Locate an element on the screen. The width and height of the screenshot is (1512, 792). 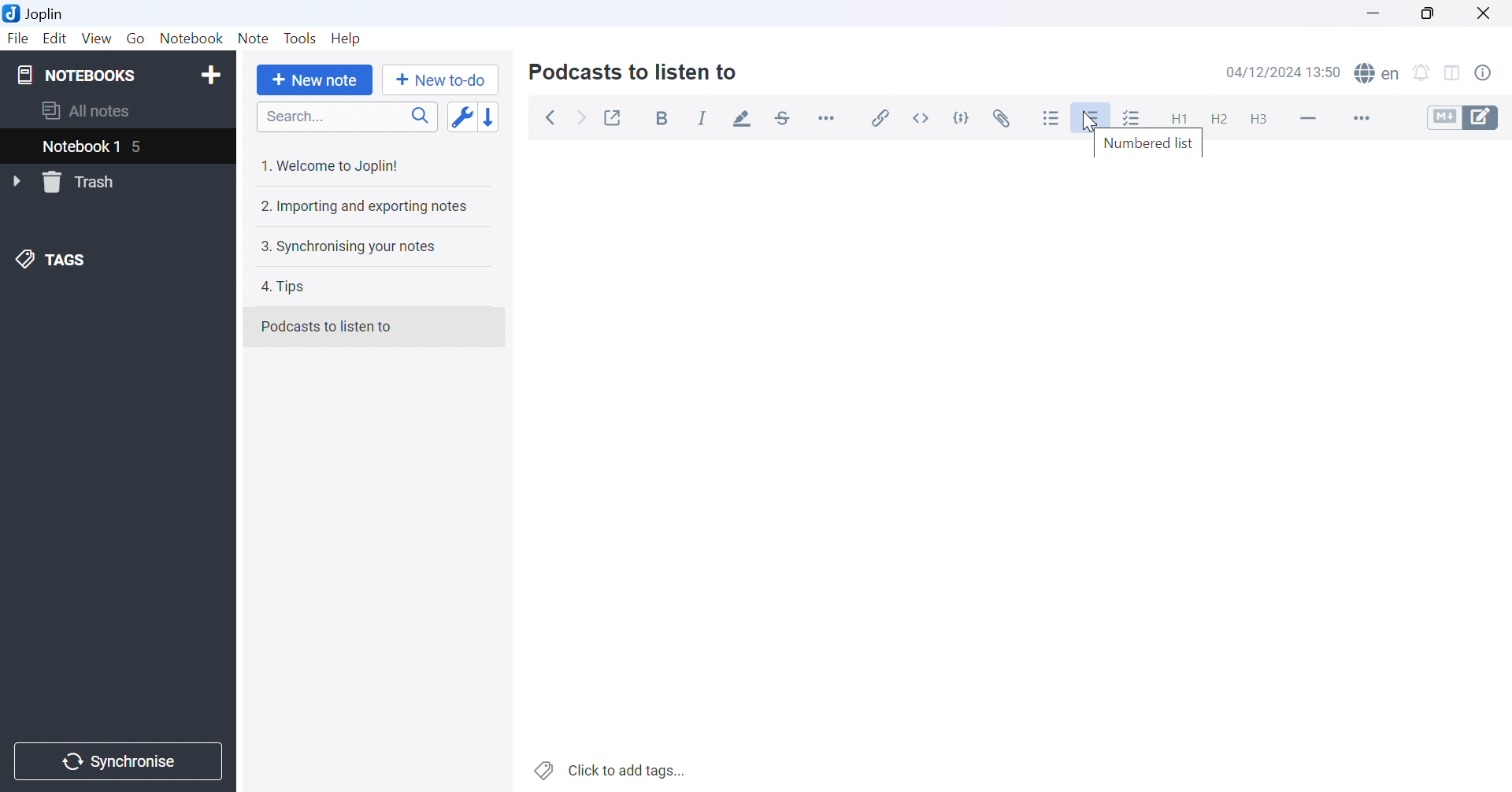
Synchronise is located at coordinates (120, 762).